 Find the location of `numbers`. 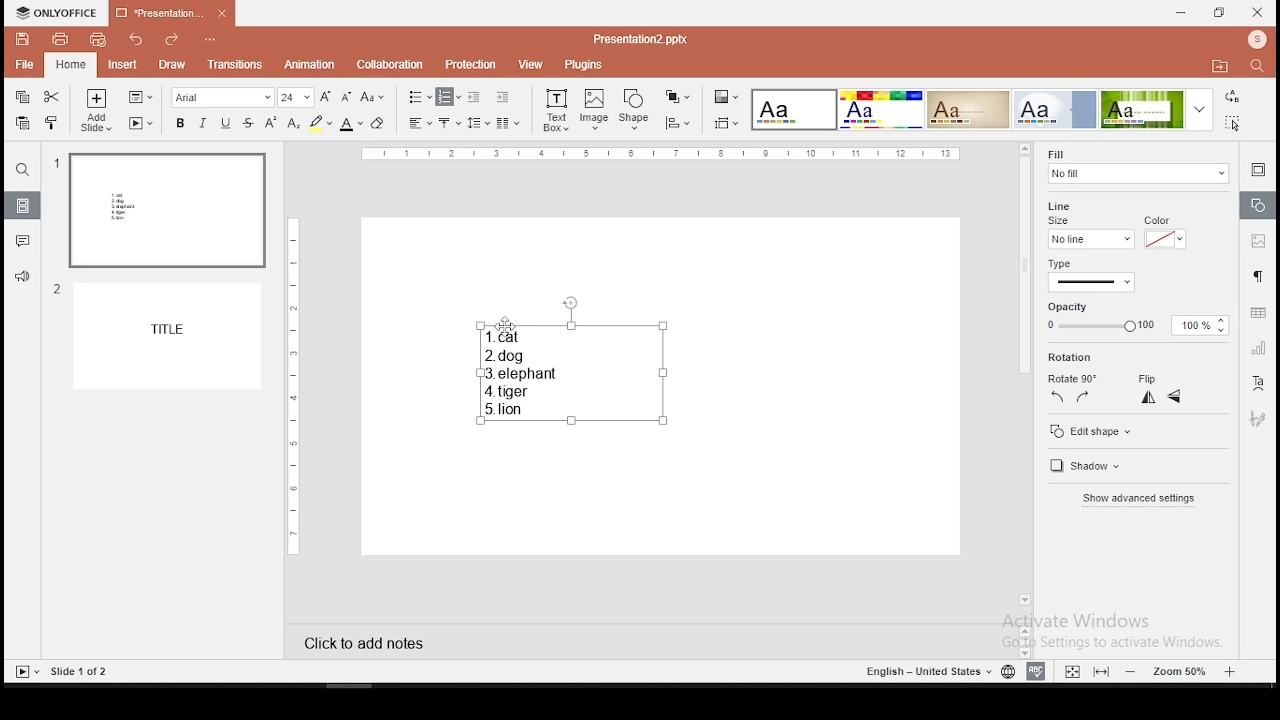

numbers is located at coordinates (55, 233).